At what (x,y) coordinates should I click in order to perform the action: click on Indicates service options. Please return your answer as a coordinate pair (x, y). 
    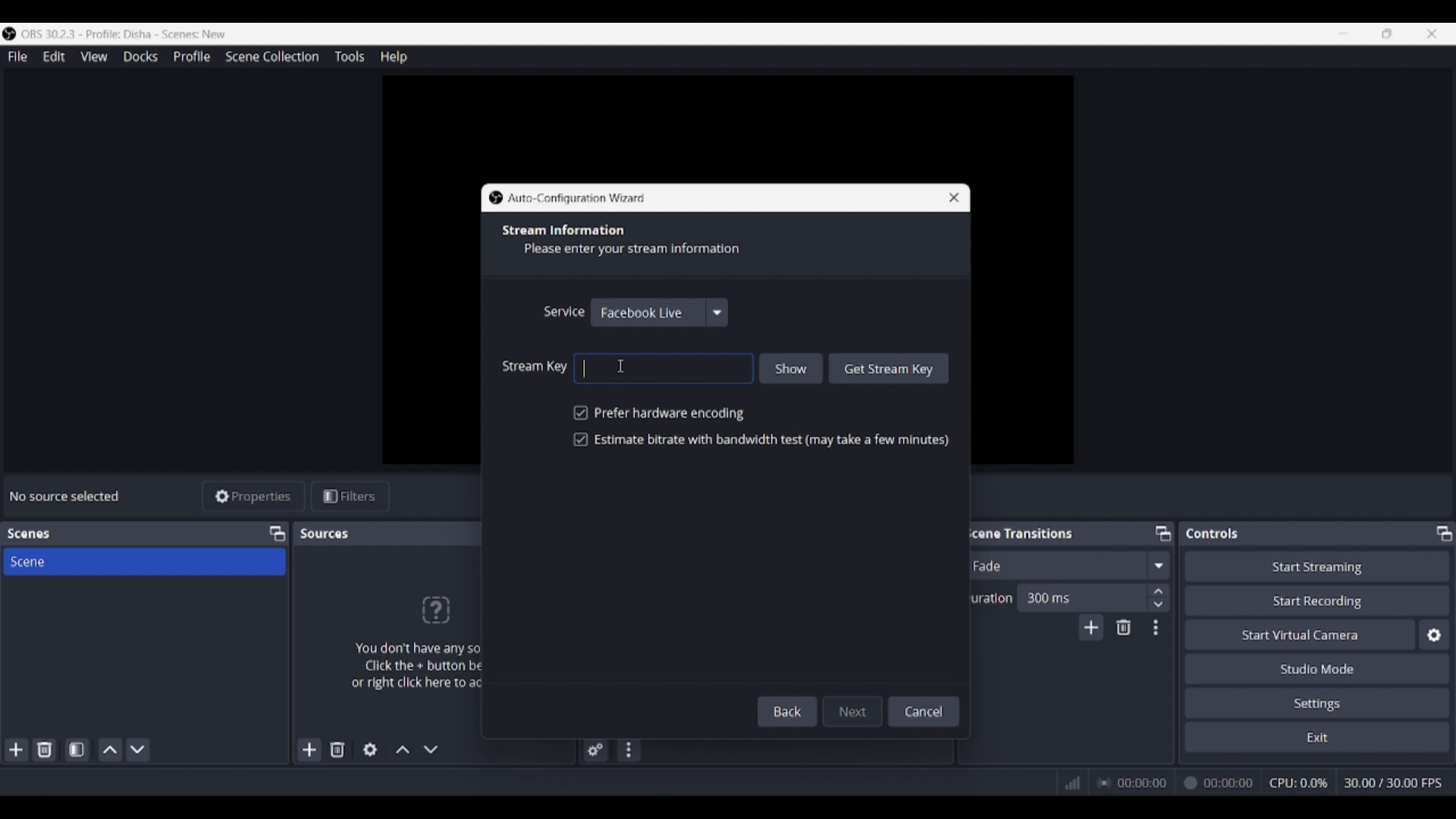
    Looking at the image, I should click on (563, 311).